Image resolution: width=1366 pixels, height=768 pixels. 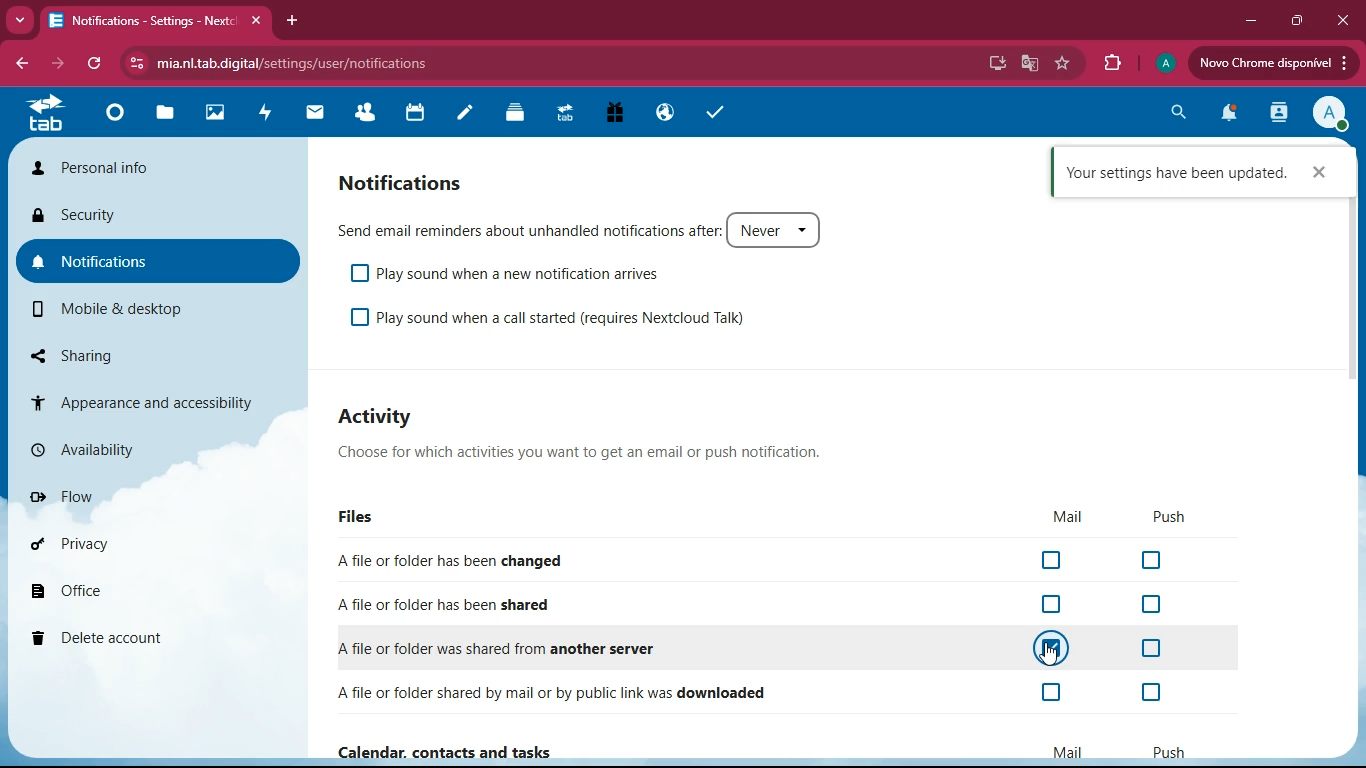 What do you see at coordinates (1154, 649) in the screenshot?
I see `off` at bounding box center [1154, 649].